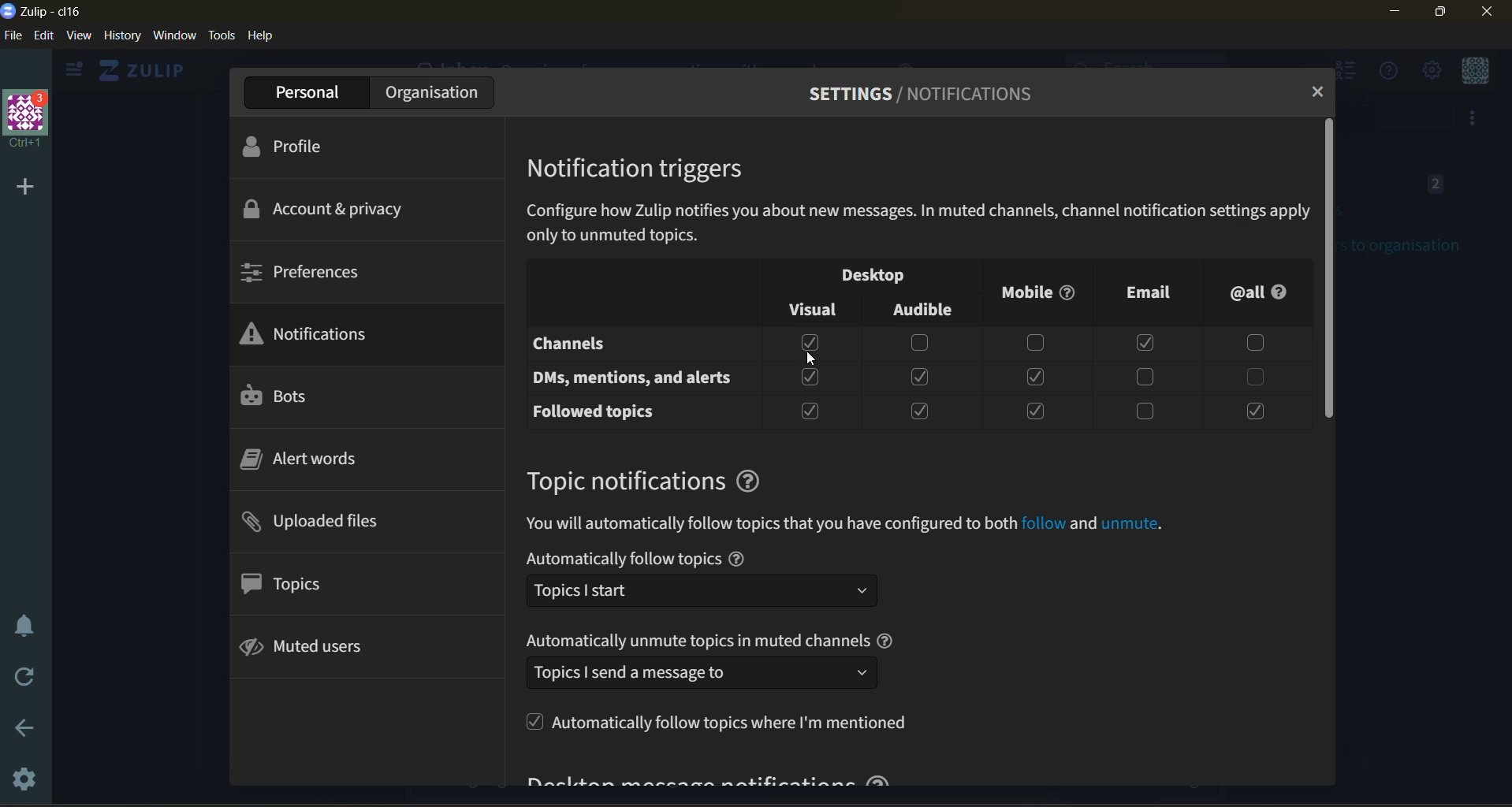  I want to click on email, so click(1138, 294).